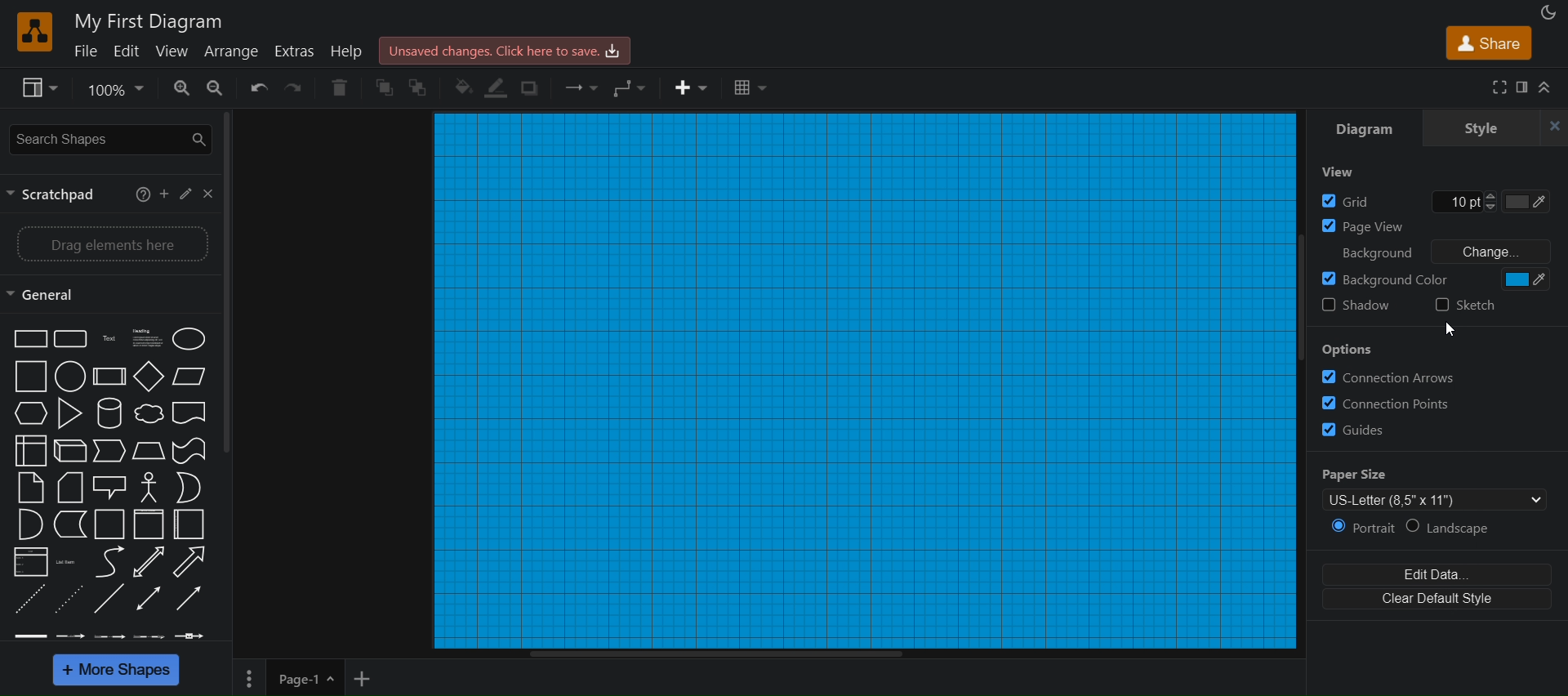  I want to click on edit, so click(186, 194).